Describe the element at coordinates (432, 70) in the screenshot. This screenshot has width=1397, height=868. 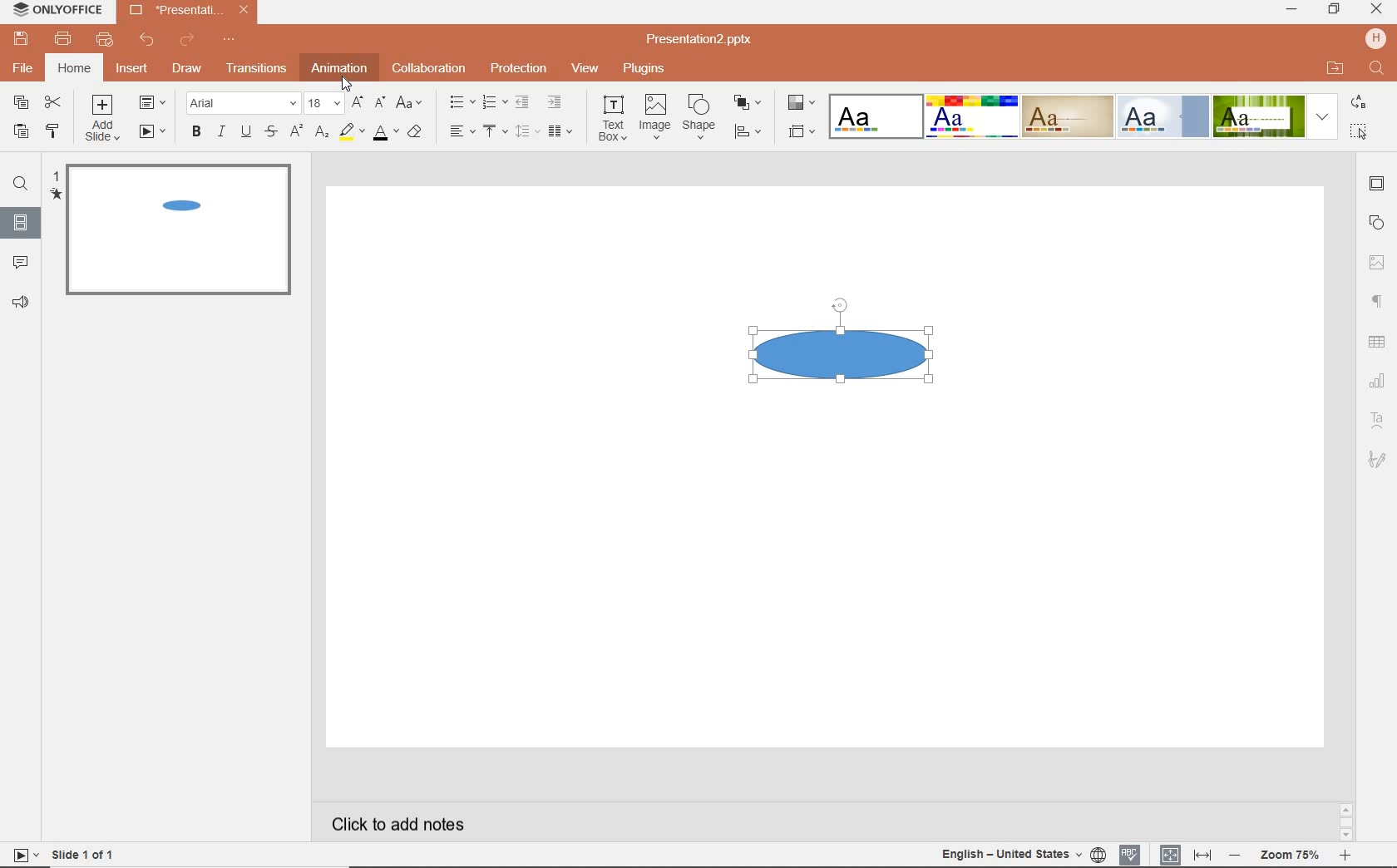
I see `collaboration` at that location.